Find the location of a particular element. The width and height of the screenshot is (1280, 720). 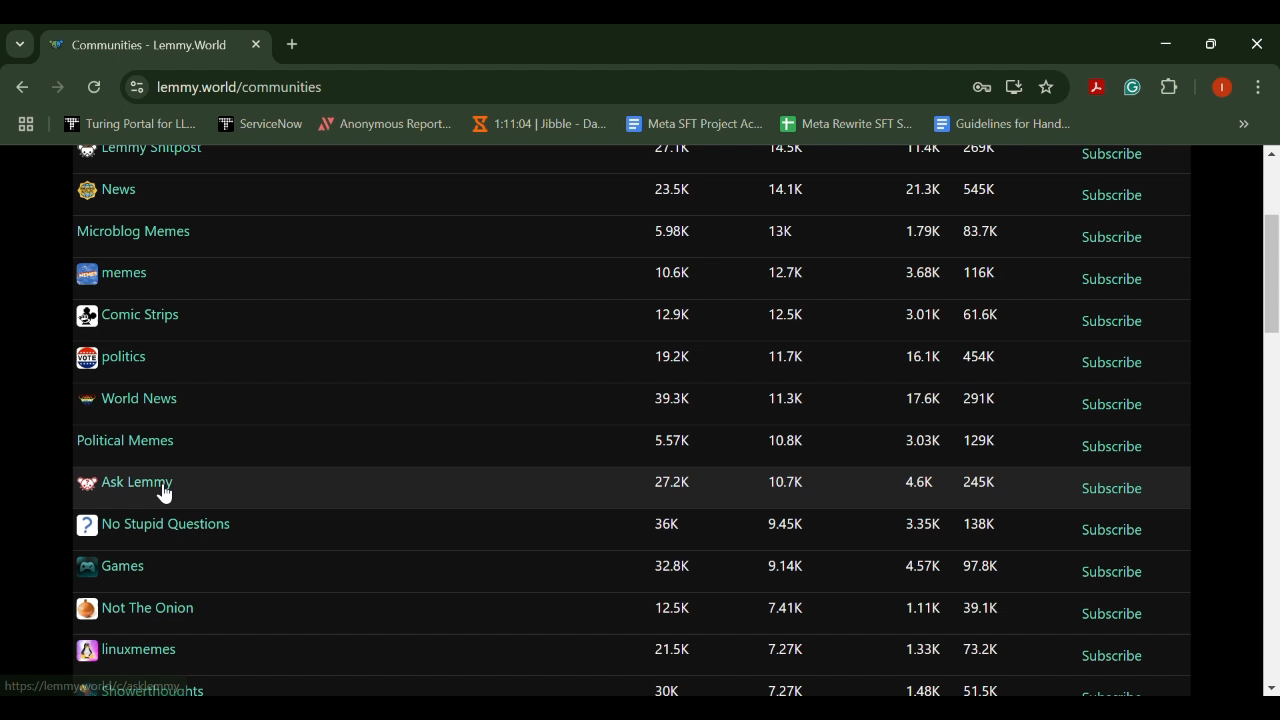

Subscribe is located at coordinates (1114, 490).